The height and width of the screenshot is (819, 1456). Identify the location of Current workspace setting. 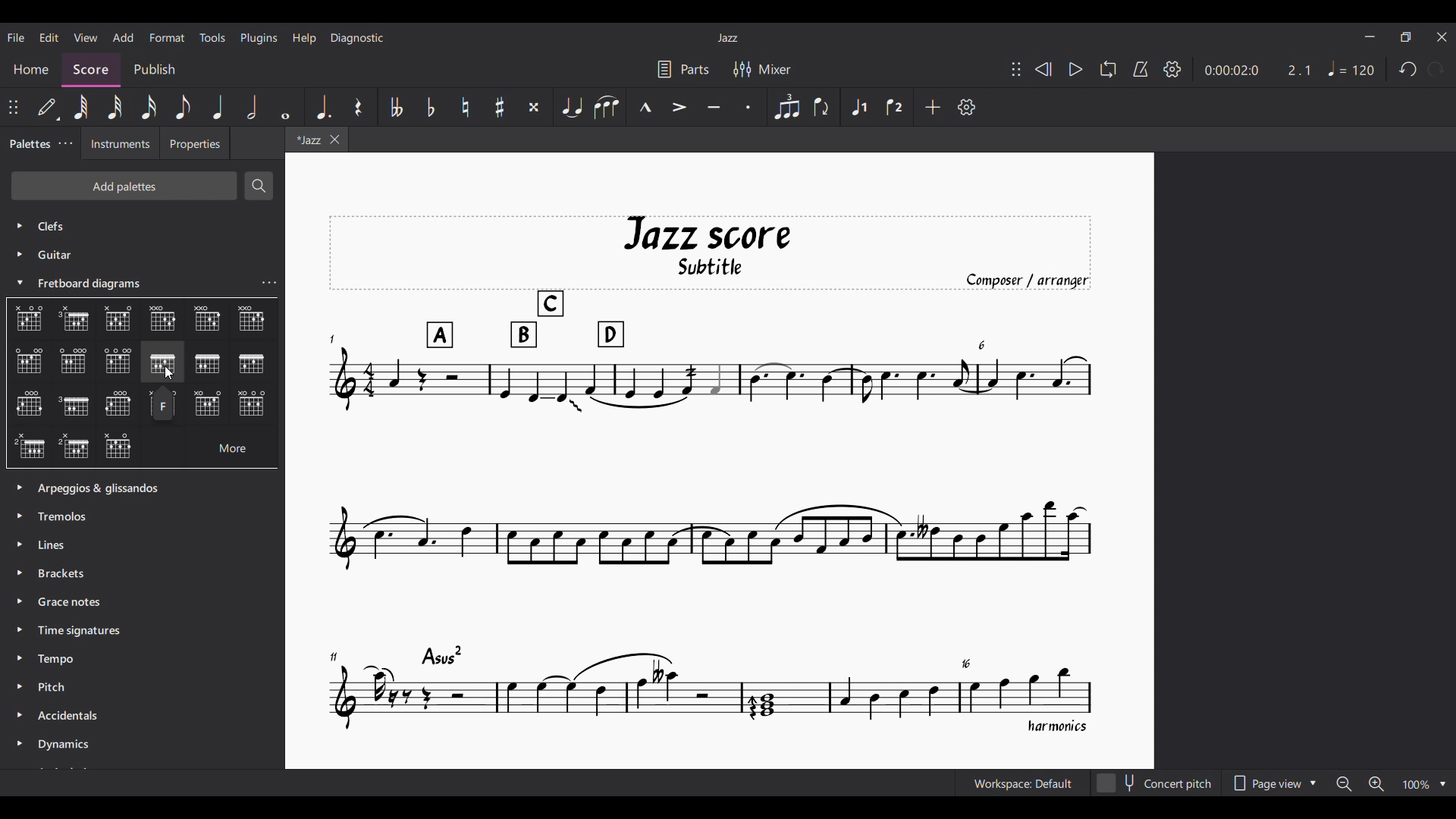
(1023, 783).